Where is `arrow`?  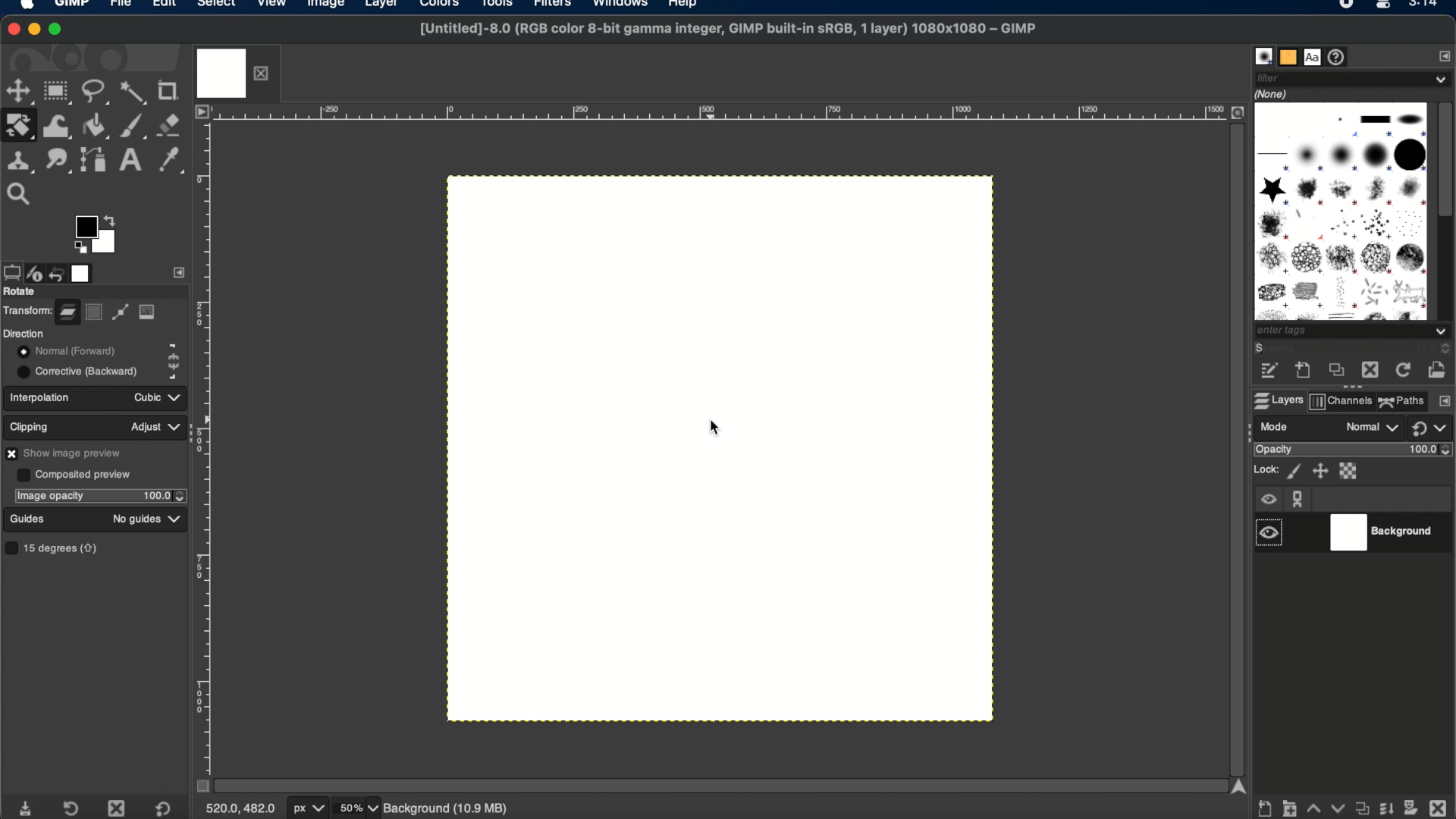 arrow is located at coordinates (112, 218).